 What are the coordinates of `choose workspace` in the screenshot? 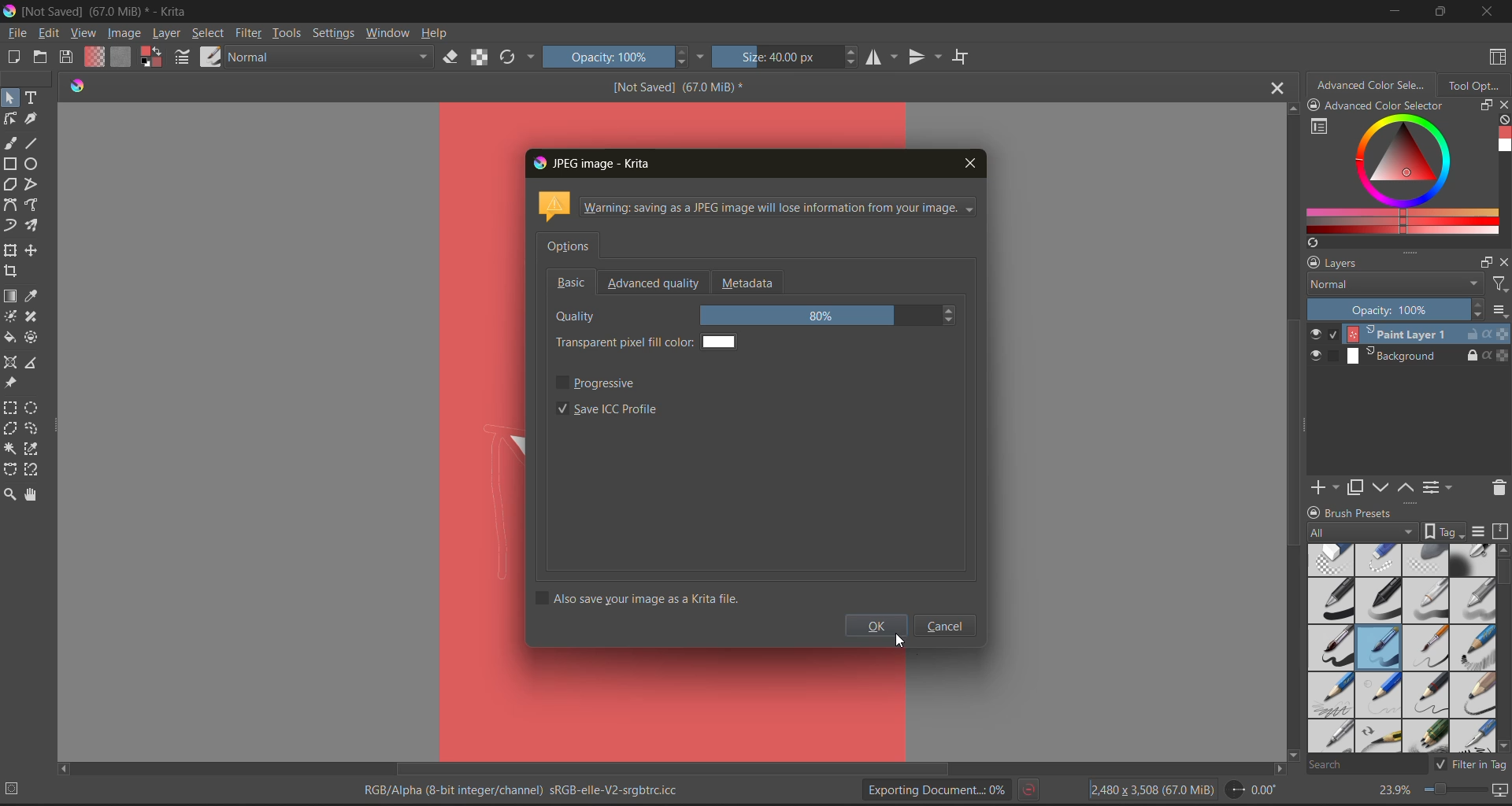 It's located at (1499, 57).